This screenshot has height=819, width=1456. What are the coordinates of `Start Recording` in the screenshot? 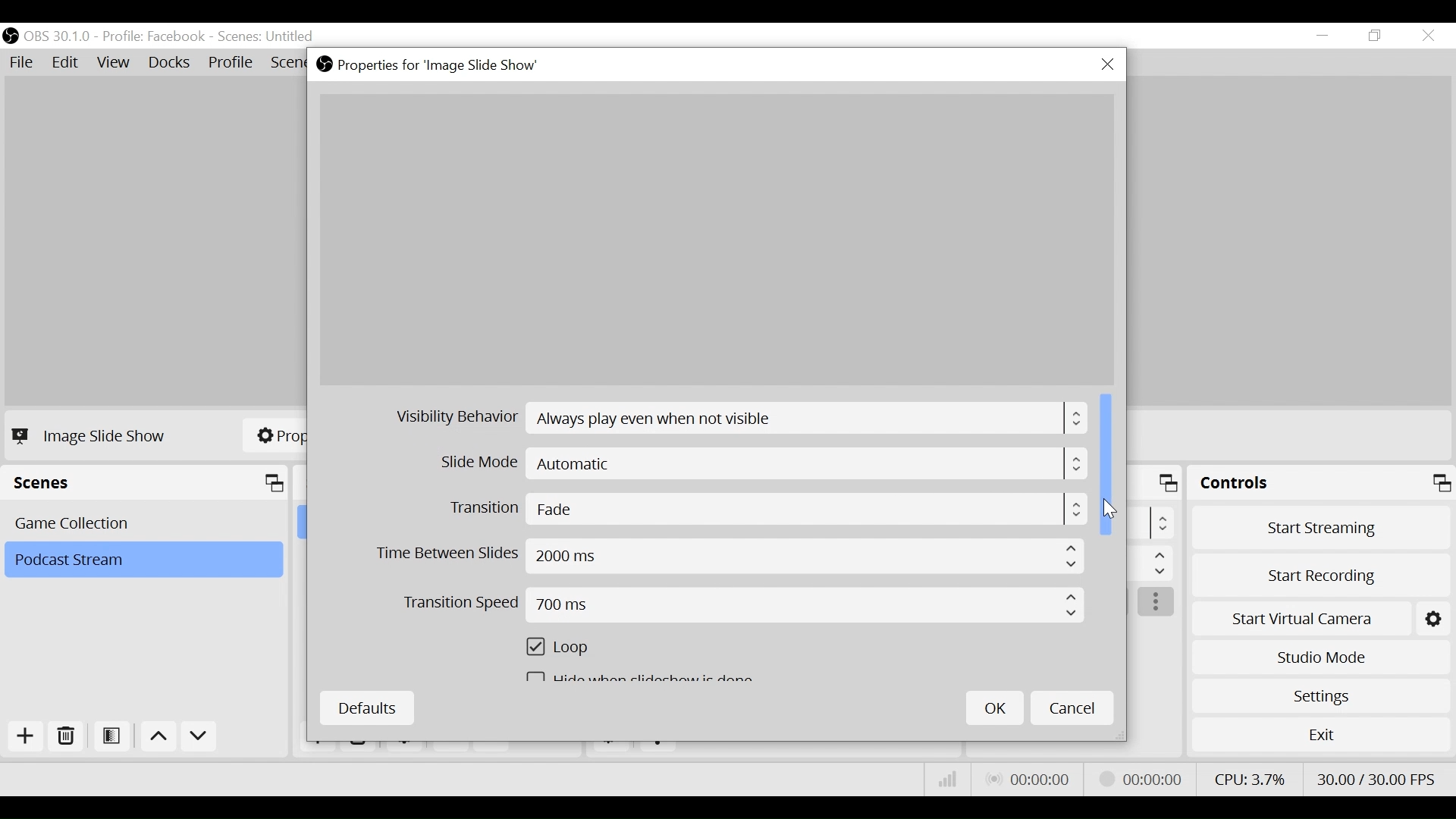 It's located at (1323, 571).